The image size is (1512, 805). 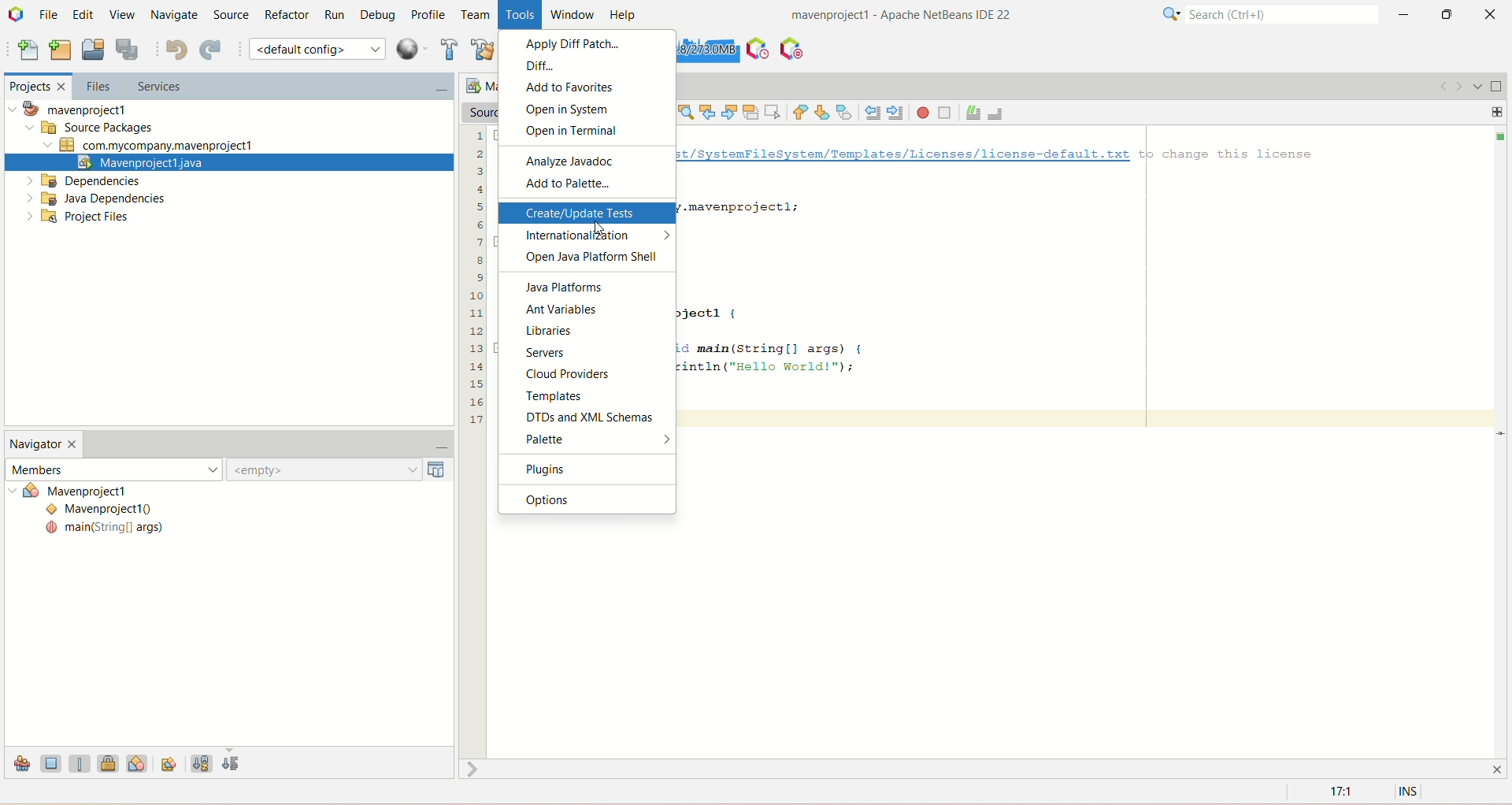 I want to click on options, so click(x=587, y=499).